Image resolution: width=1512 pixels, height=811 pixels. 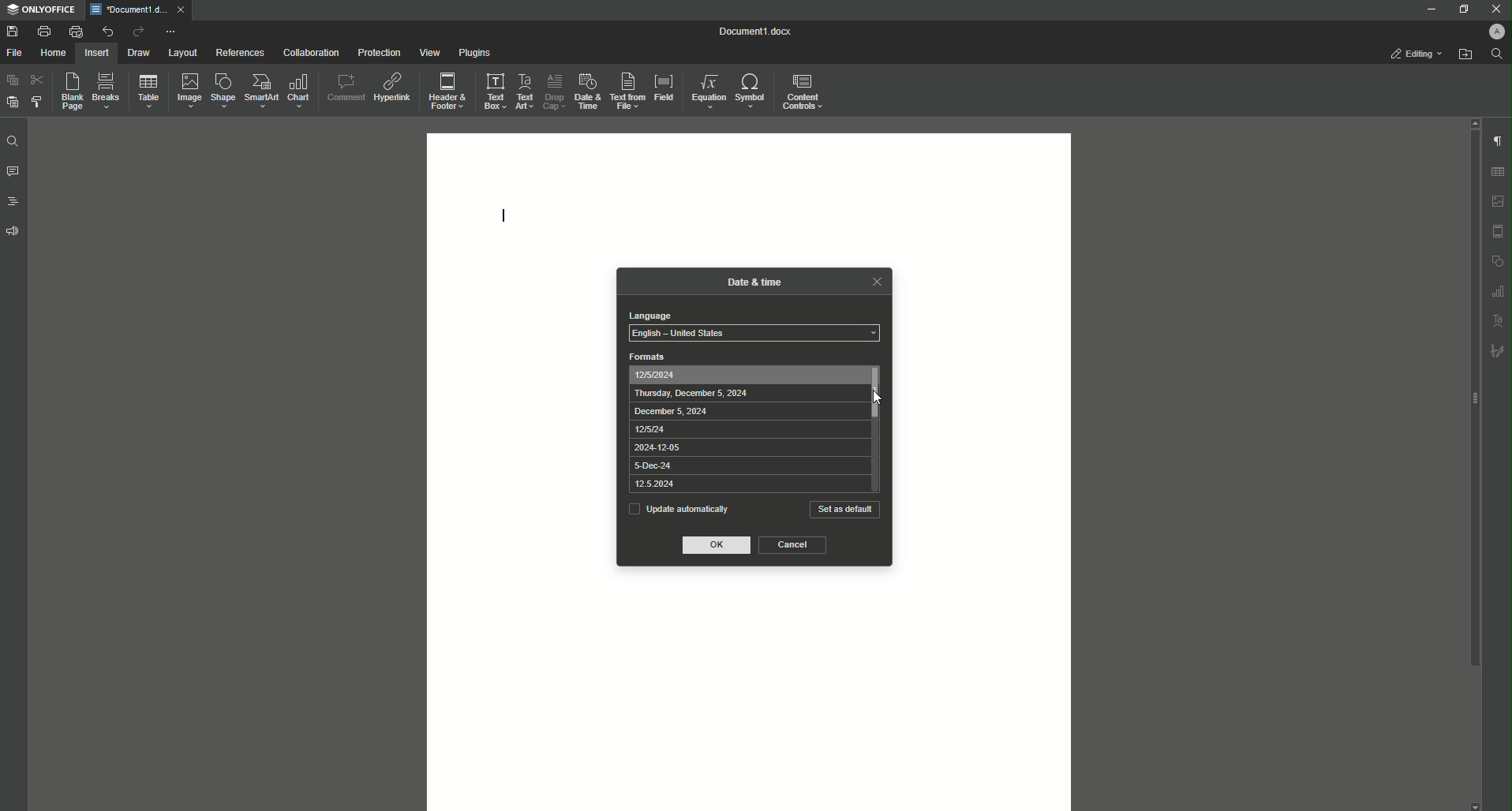 I want to click on Editing, so click(x=1417, y=54).